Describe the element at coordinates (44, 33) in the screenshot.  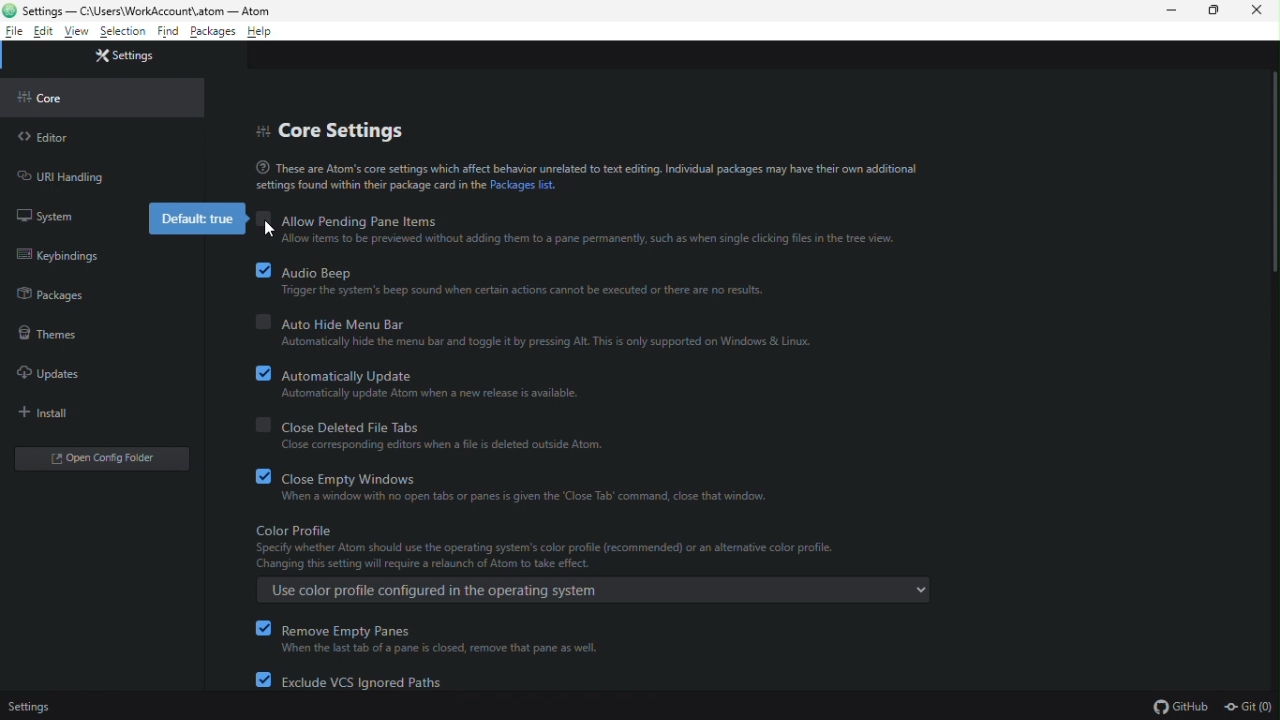
I see `edit` at that location.